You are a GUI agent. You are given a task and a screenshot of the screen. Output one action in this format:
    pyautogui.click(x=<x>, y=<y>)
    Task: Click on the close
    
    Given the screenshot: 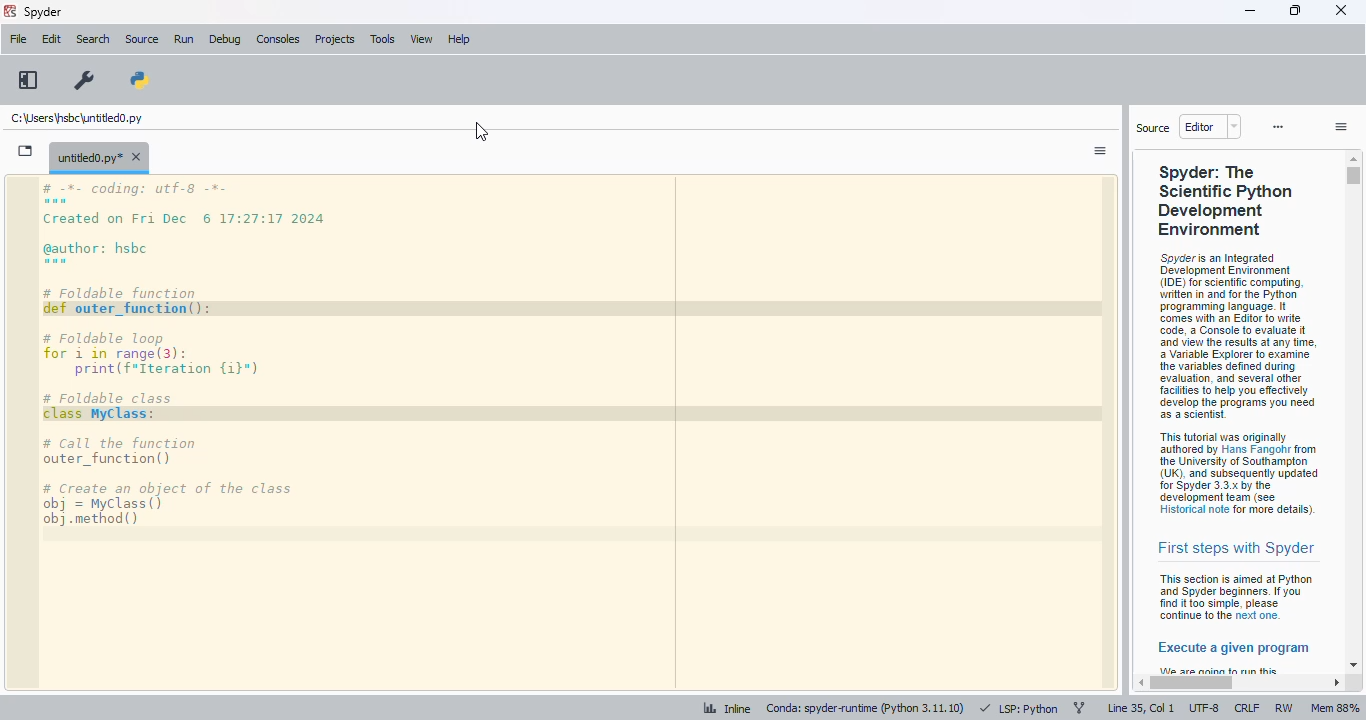 What is the action you would take?
    pyautogui.click(x=1343, y=11)
    